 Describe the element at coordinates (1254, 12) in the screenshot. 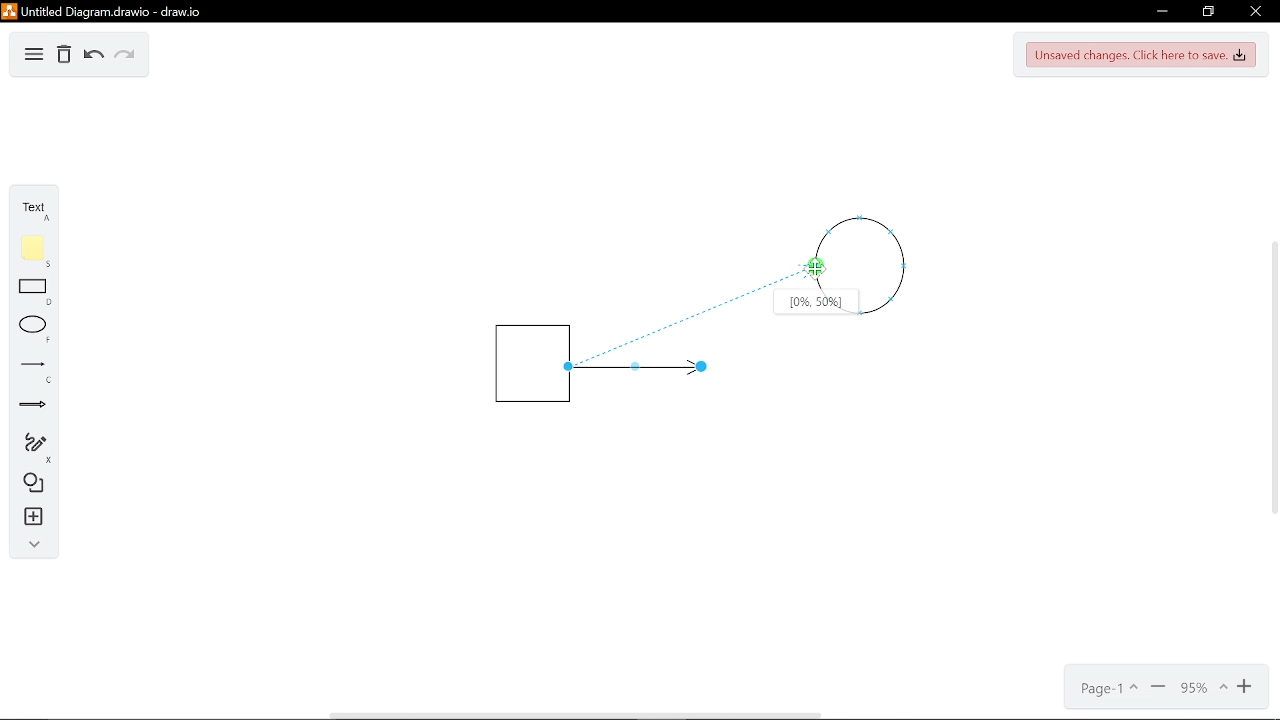

I see `CLose` at that location.